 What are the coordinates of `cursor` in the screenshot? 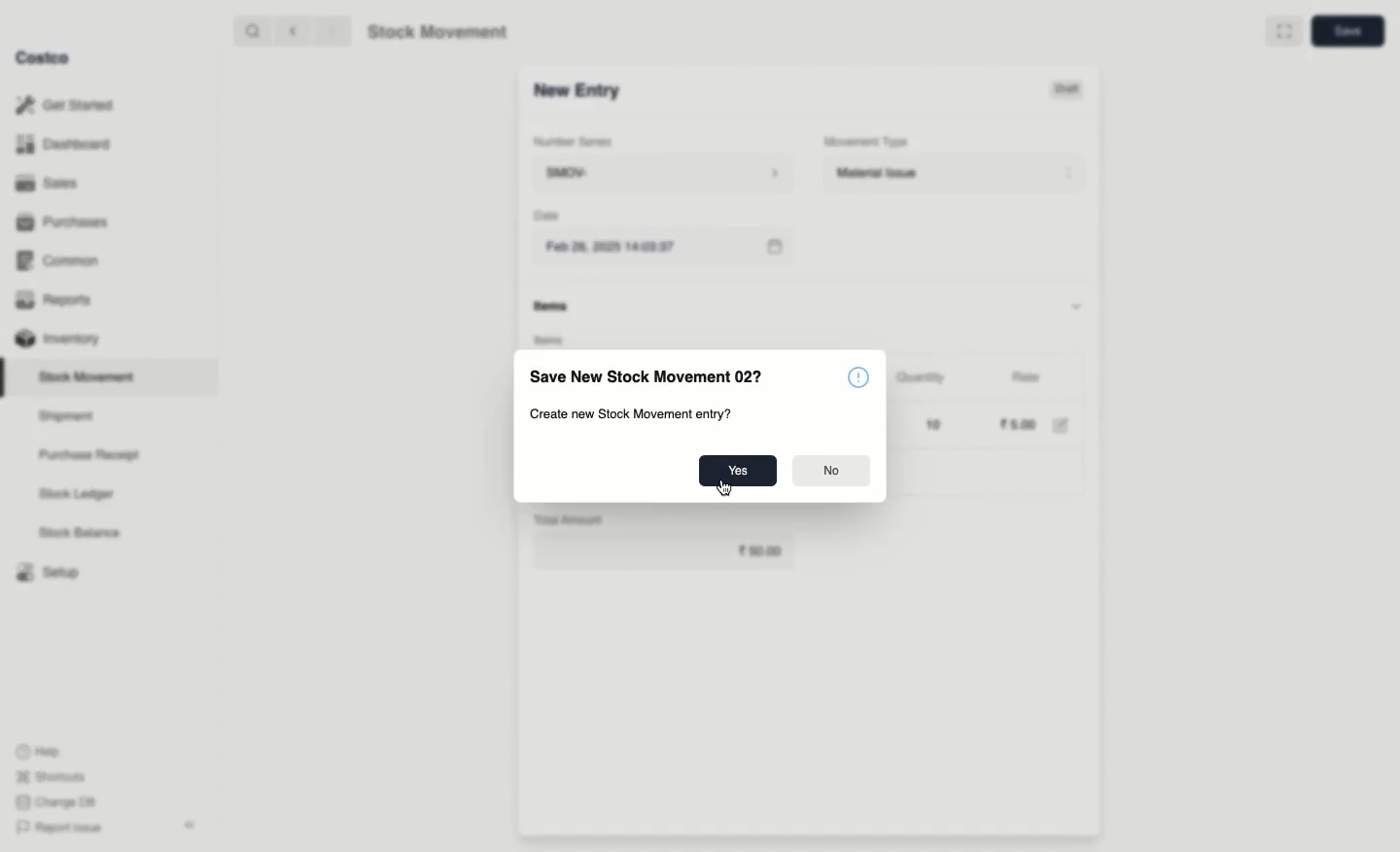 It's located at (721, 486).